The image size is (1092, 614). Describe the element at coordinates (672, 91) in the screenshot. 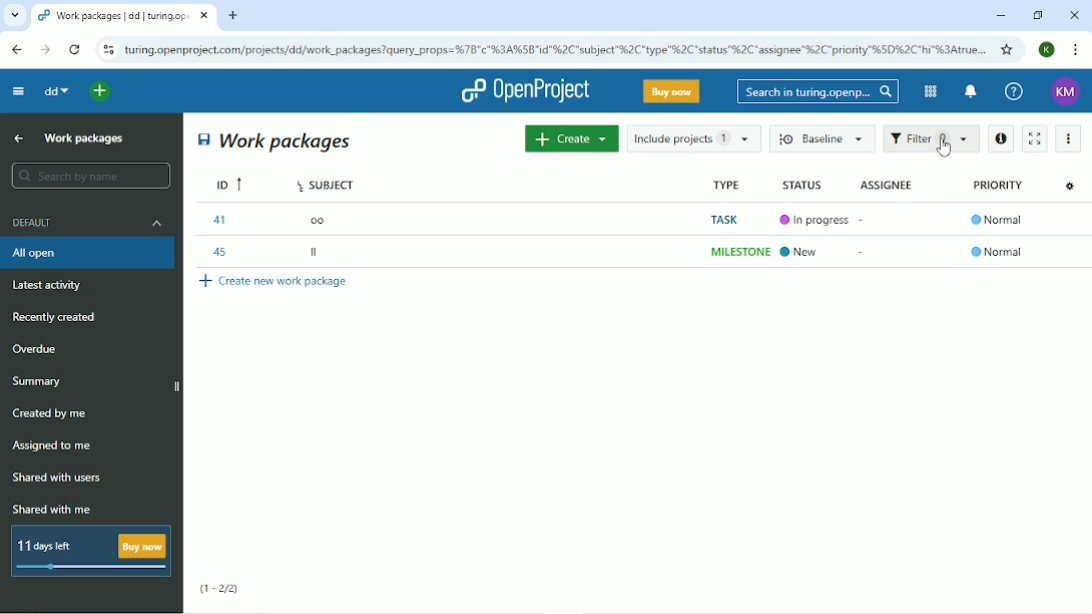

I see `Buy now` at that location.